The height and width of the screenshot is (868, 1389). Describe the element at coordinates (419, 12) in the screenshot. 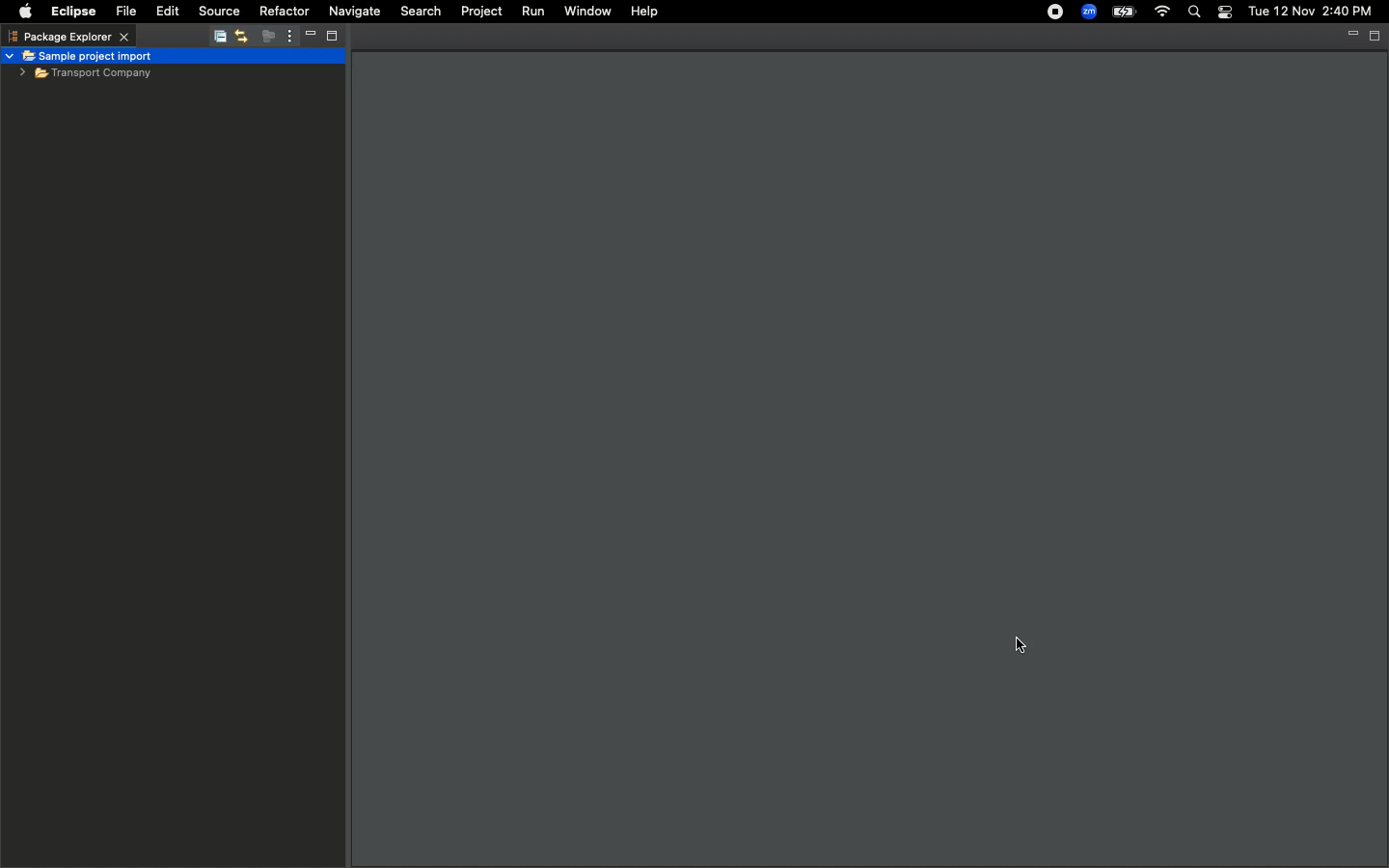

I see `Search` at that location.